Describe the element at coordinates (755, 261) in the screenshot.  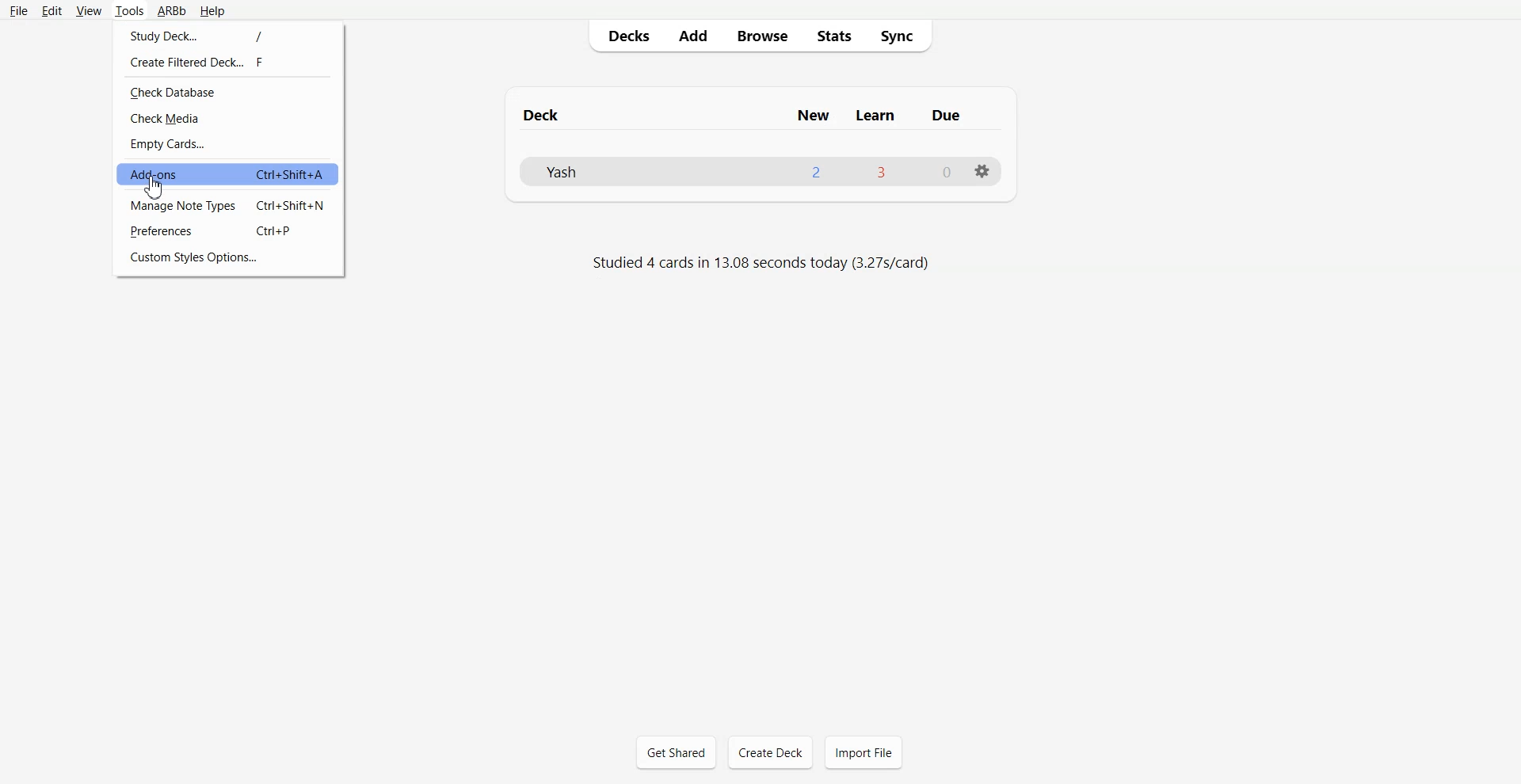
I see `Studied 4 cards in 13.08 seconds today (3.27s/card)` at that location.